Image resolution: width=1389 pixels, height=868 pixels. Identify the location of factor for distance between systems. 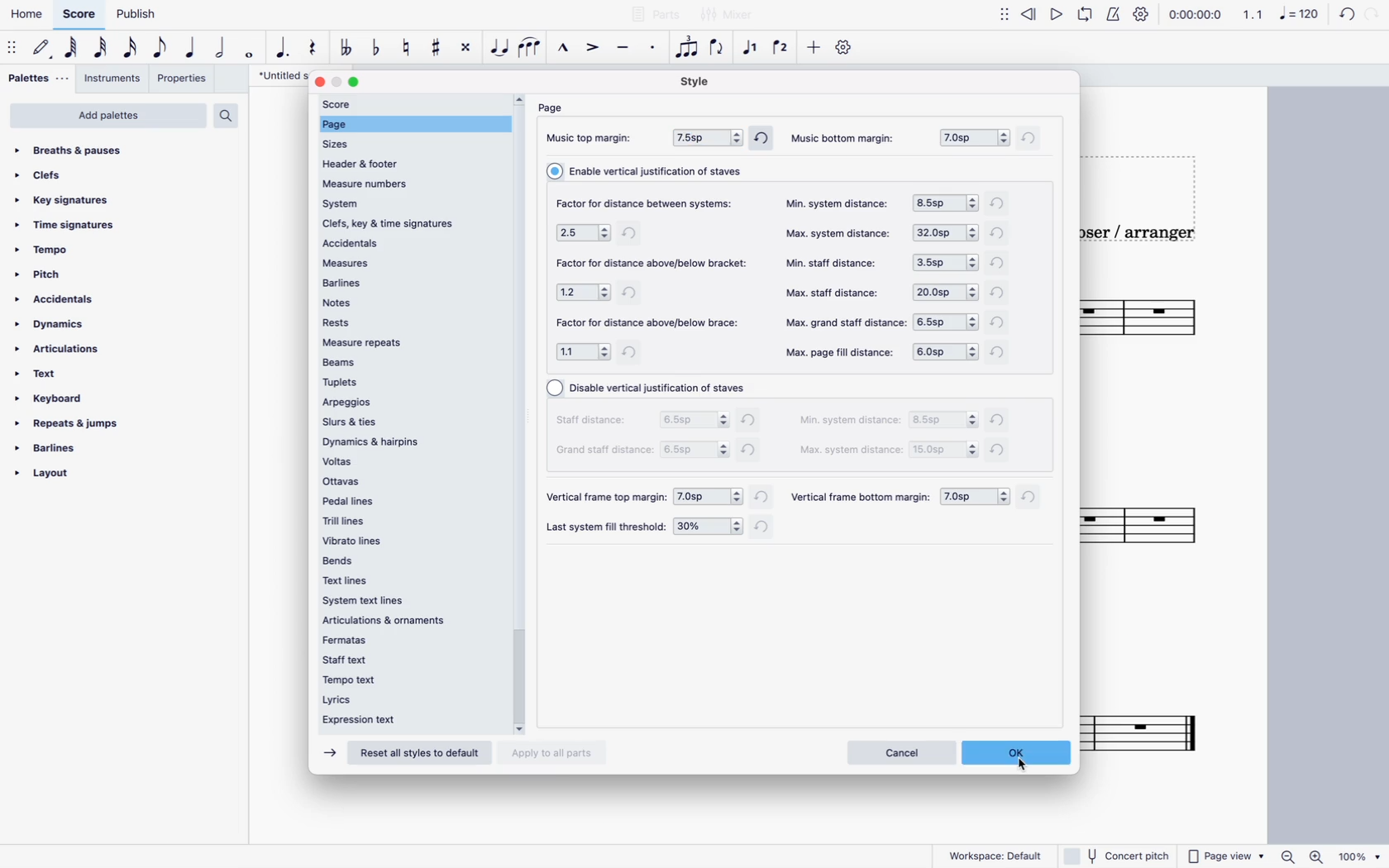
(651, 201).